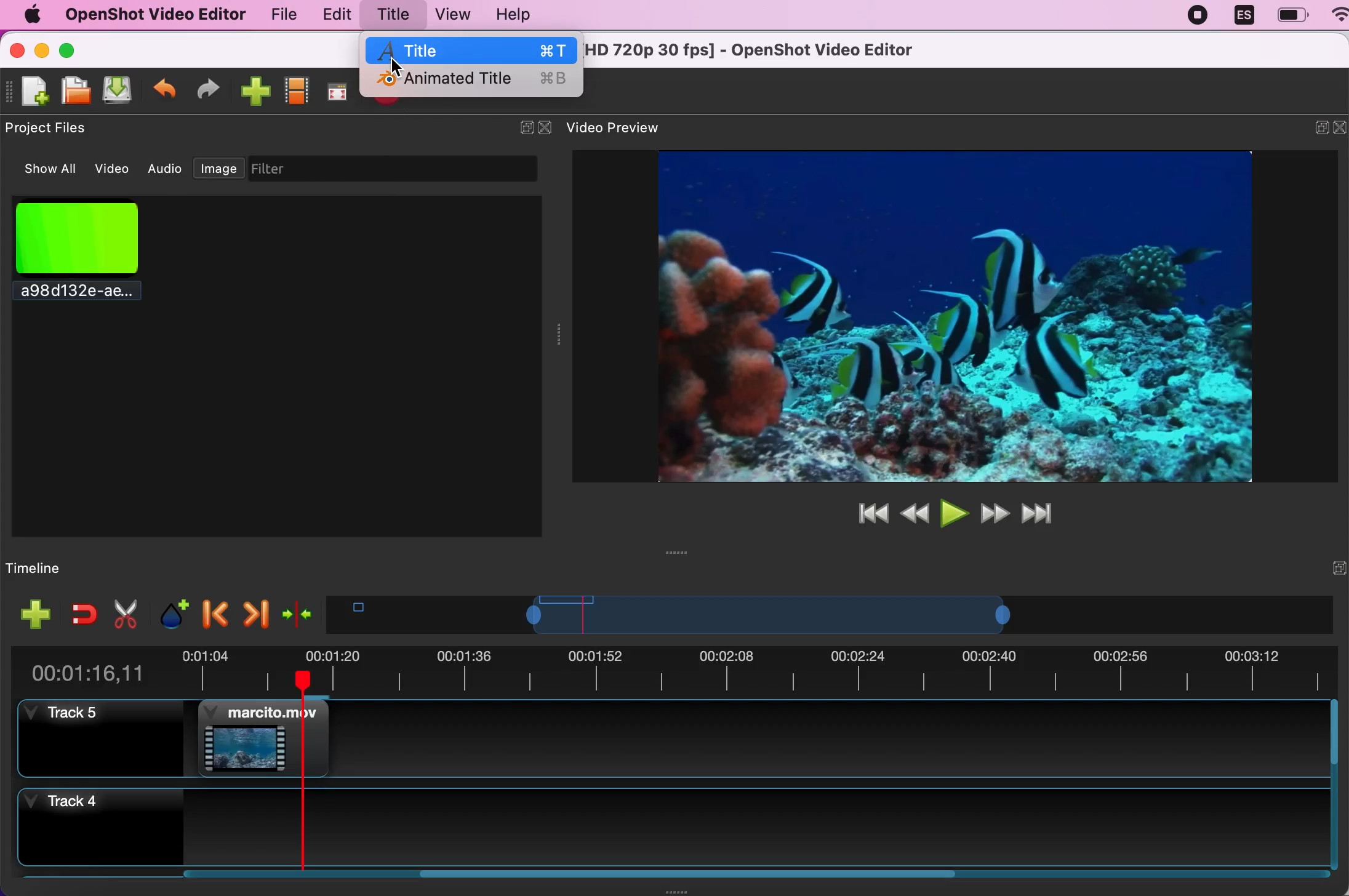 This screenshot has height=896, width=1349. Describe the element at coordinates (44, 169) in the screenshot. I see `show all` at that location.